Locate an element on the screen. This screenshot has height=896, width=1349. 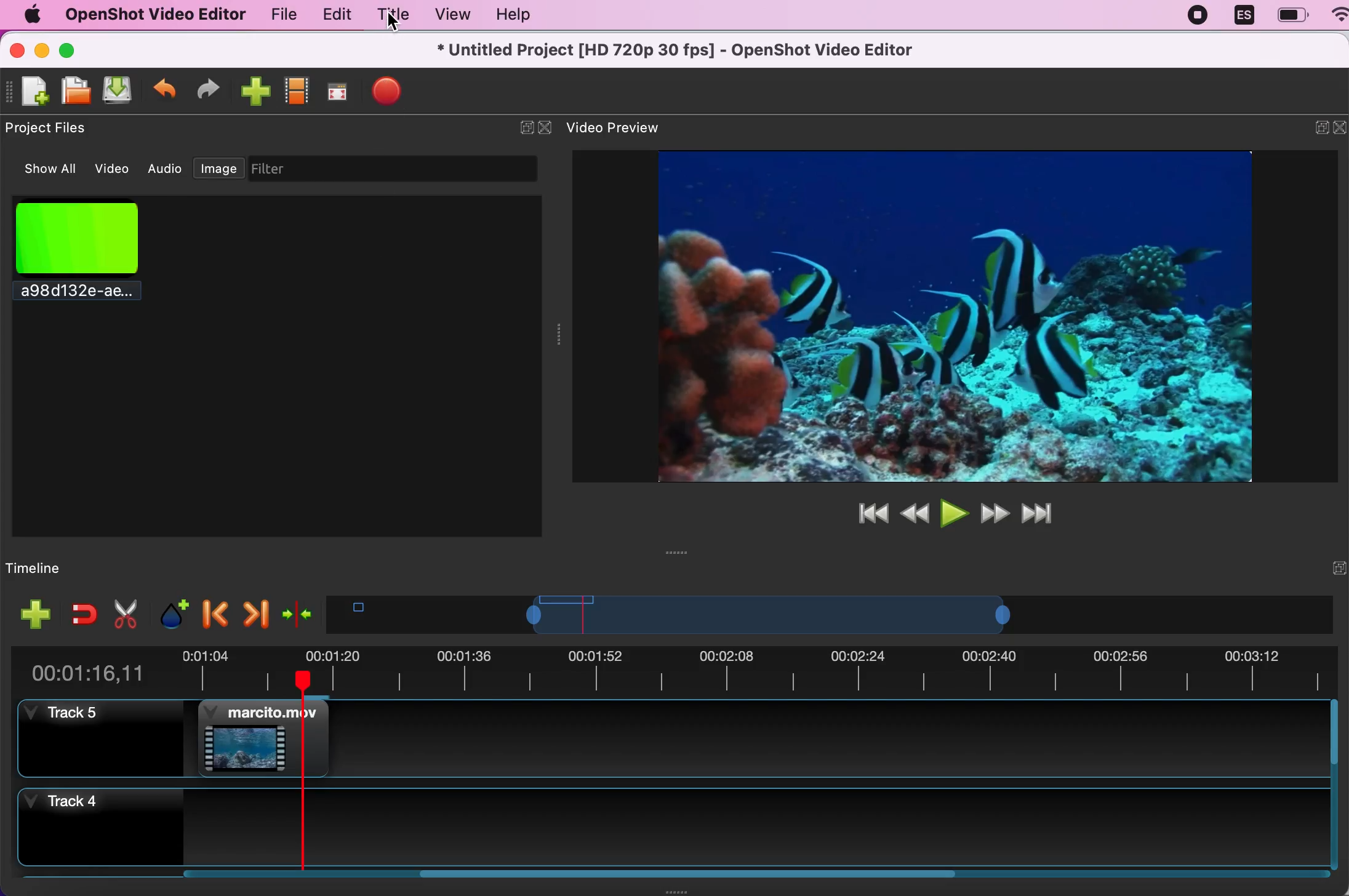
hide/expand is located at coordinates (517, 122).